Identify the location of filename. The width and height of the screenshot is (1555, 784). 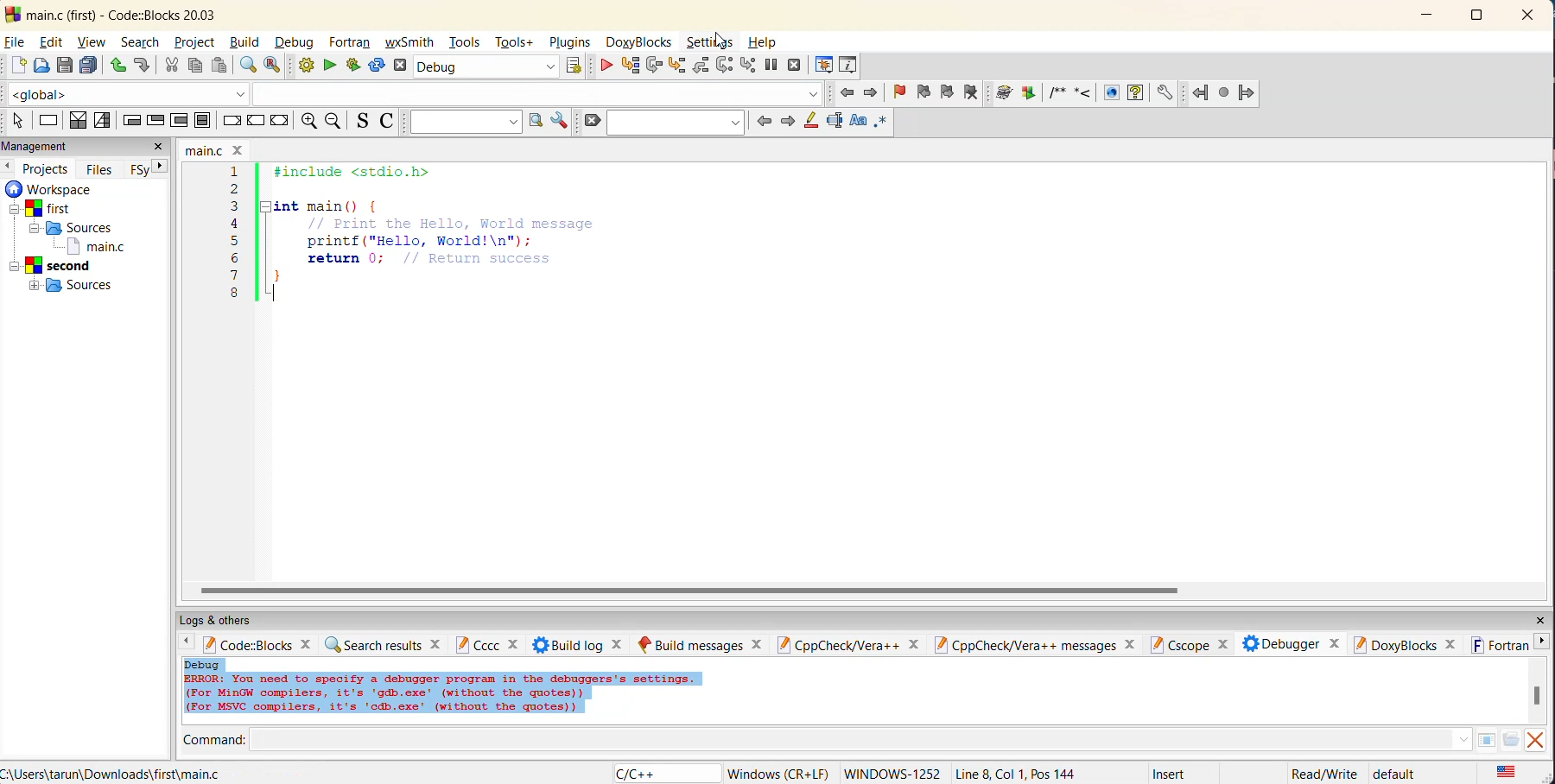
(213, 149).